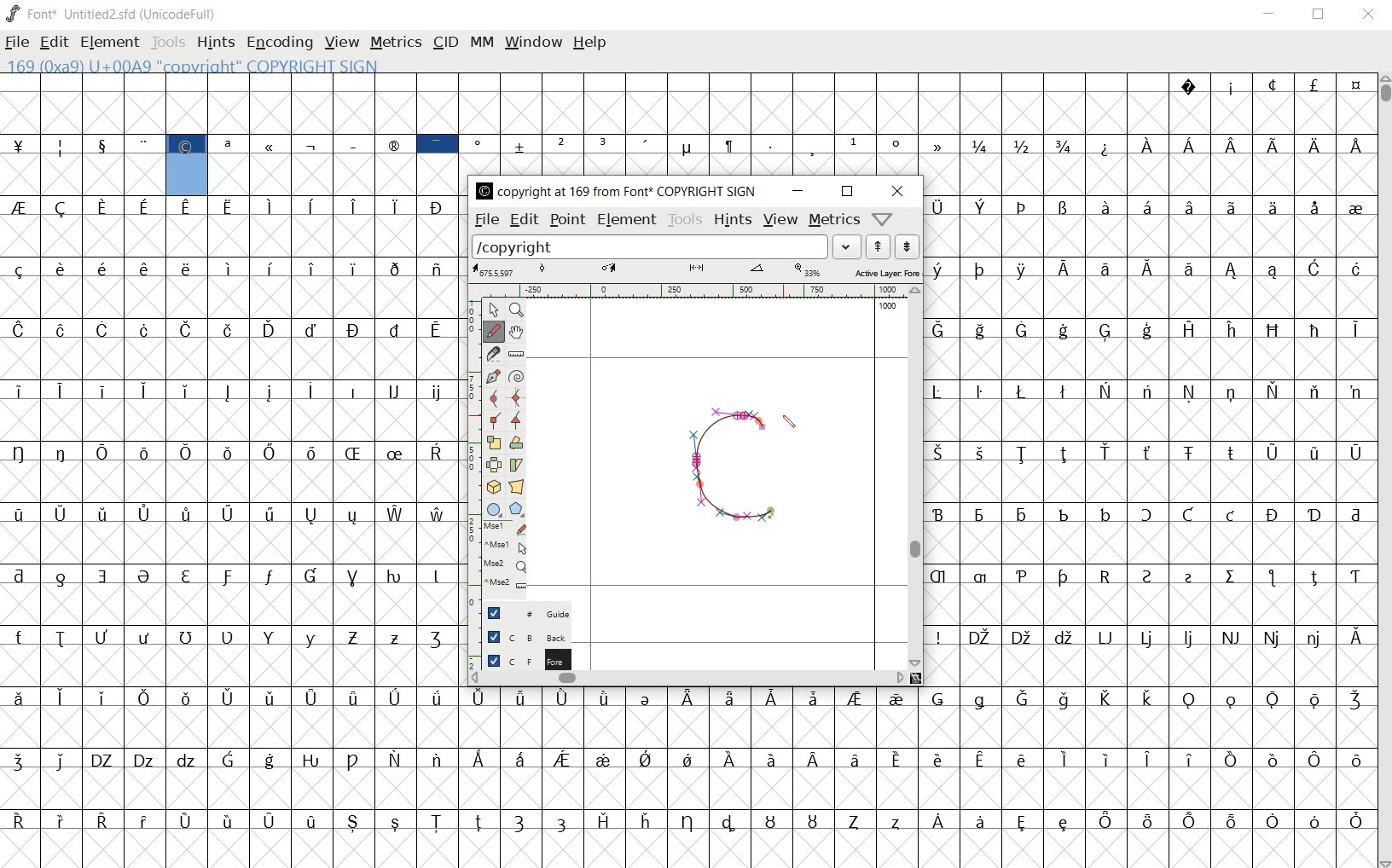  What do you see at coordinates (877, 246) in the screenshot?
I see `show the next word on the list` at bounding box center [877, 246].